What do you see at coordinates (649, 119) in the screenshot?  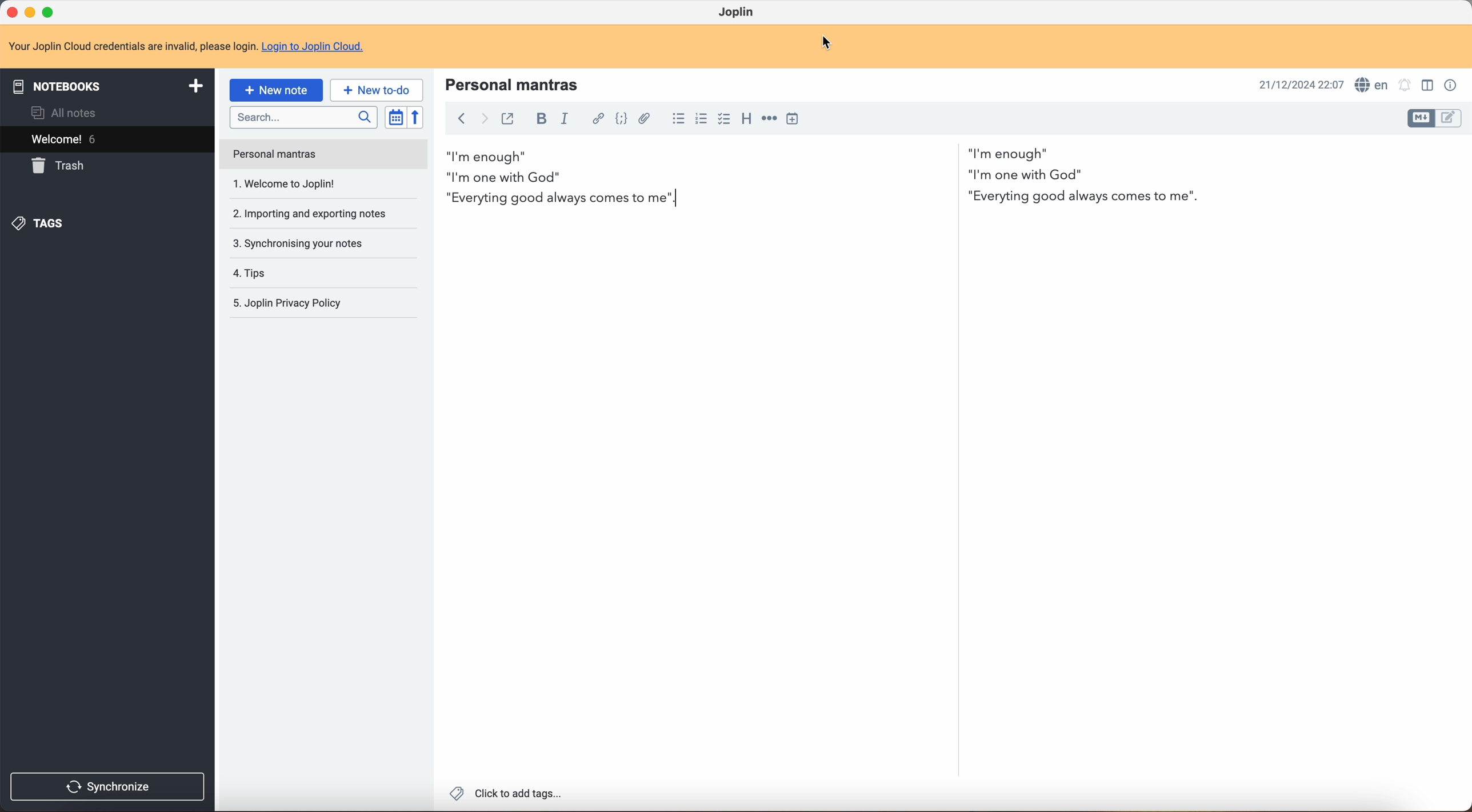 I see `attach file` at bounding box center [649, 119].